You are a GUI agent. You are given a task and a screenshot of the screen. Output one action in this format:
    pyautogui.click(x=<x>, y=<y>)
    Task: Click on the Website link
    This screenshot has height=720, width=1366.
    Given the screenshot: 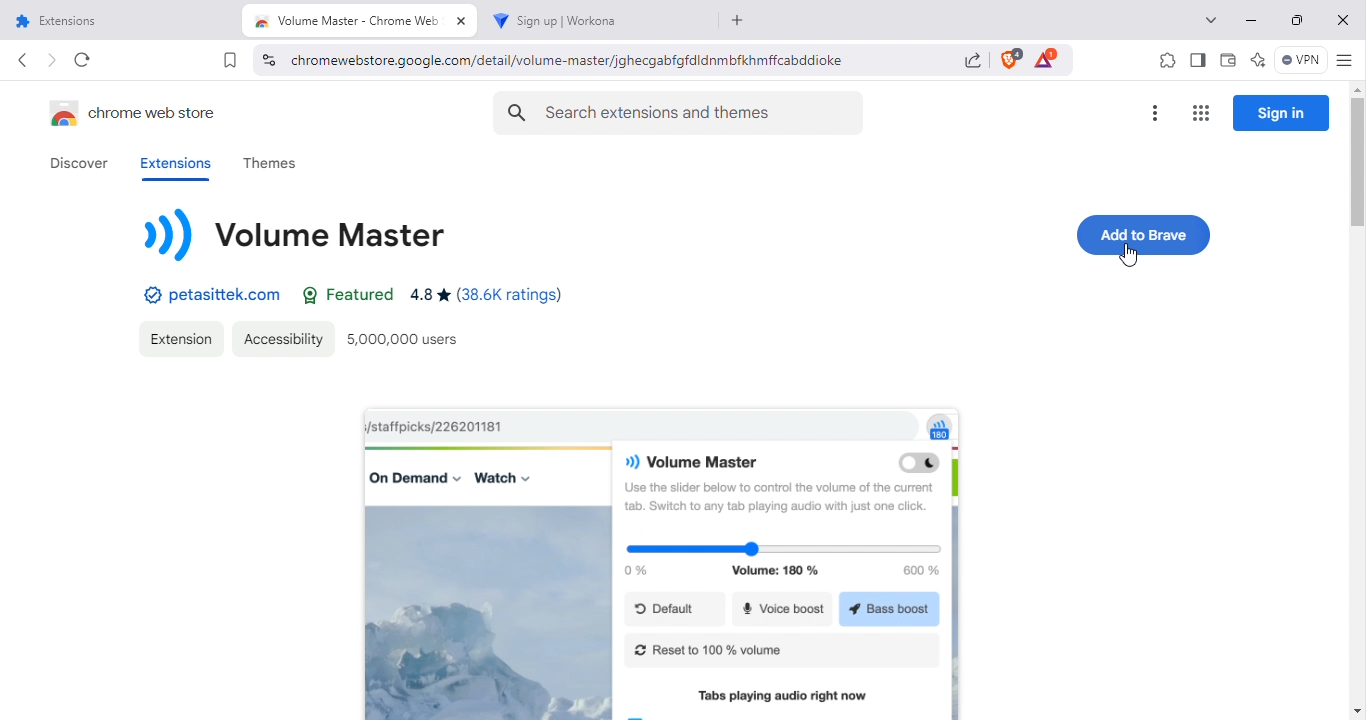 What is the action you would take?
    pyautogui.click(x=201, y=295)
    